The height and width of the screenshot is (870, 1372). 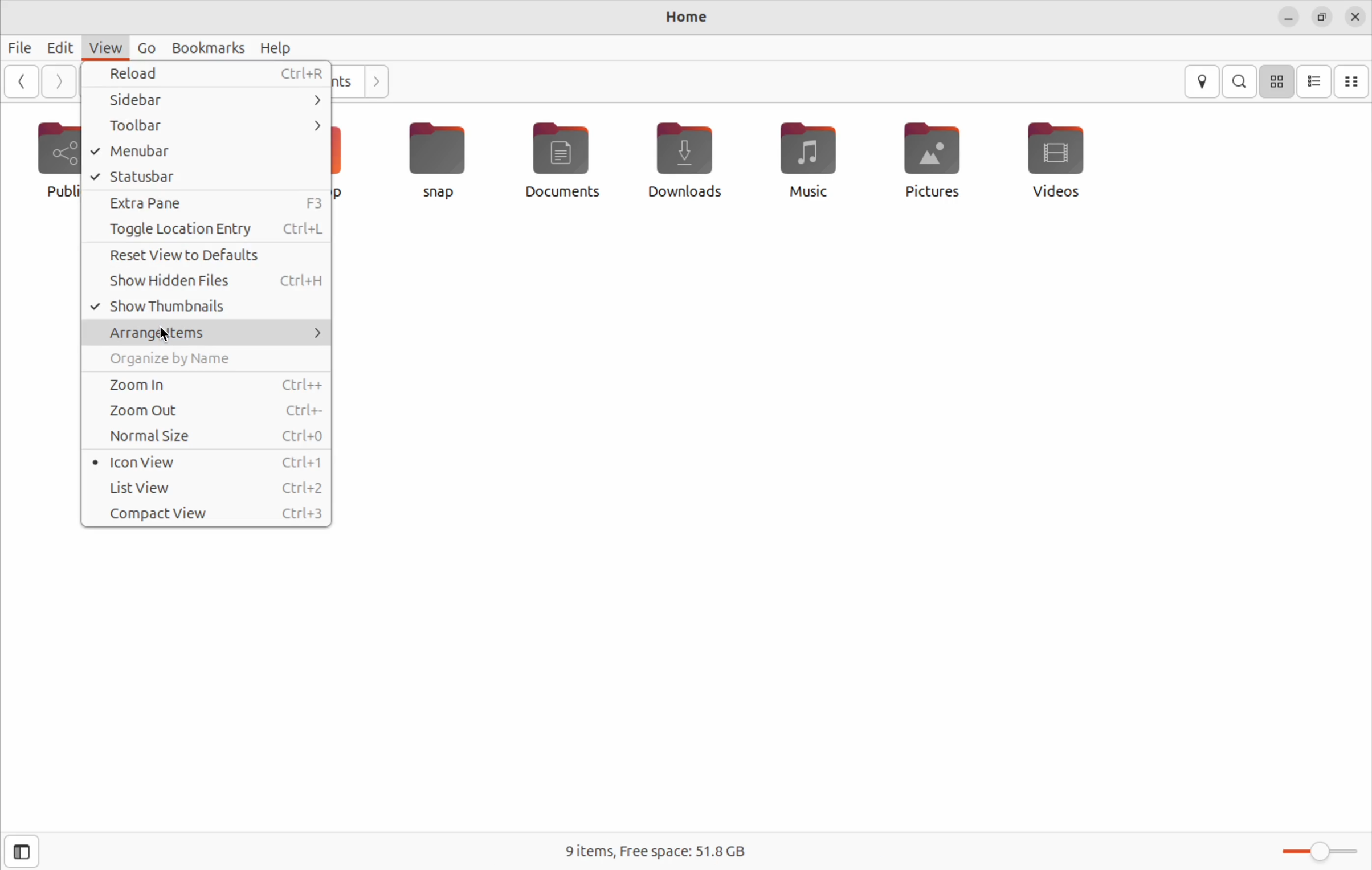 What do you see at coordinates (378, 82) in the screenshot?
I see `next` at bounding box center [378, 82].